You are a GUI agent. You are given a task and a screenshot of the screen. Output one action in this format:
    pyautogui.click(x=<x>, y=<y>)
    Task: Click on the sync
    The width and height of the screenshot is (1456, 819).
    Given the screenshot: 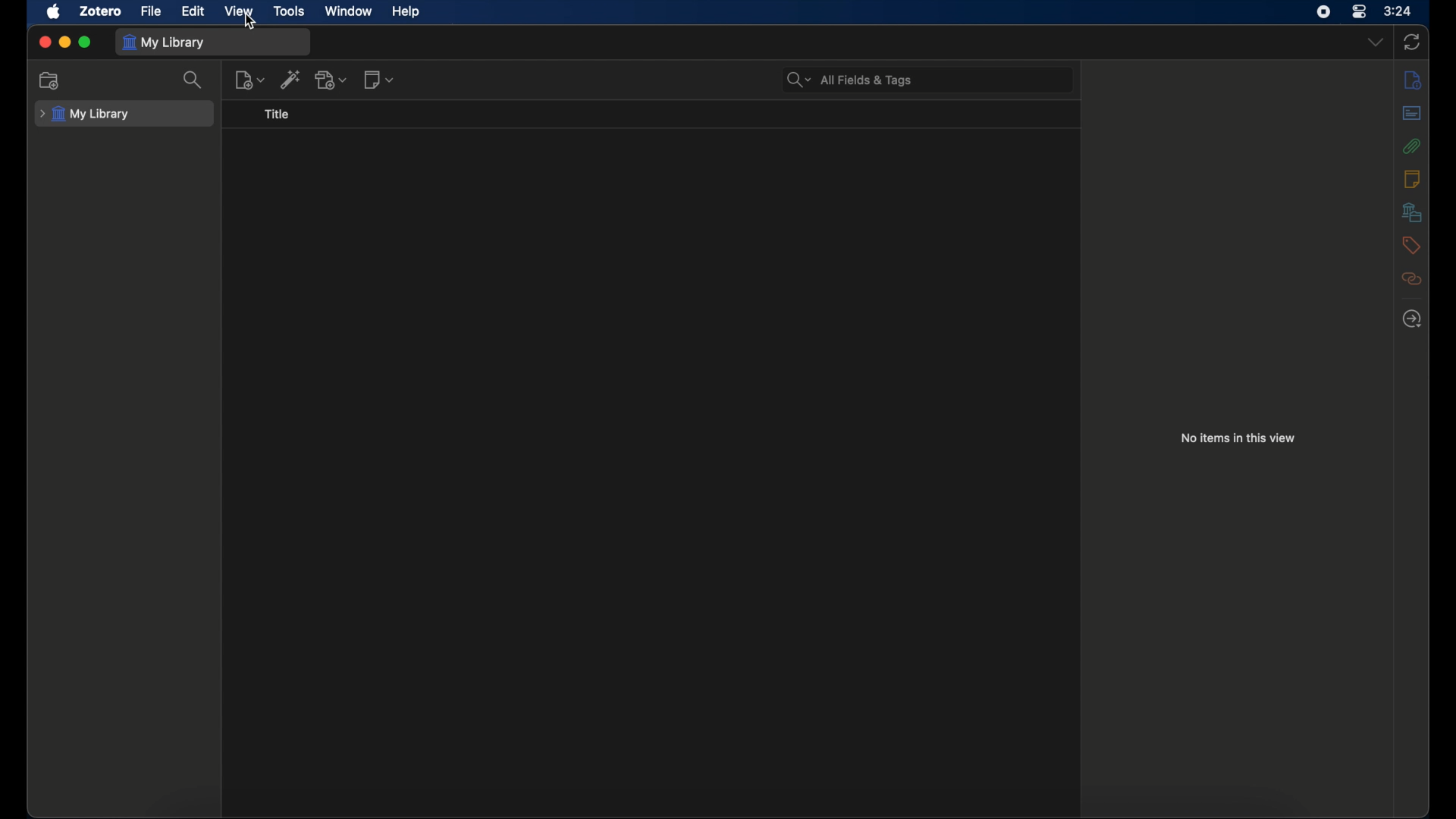 What is the action you would take?
    pyautogui.click(x=1414, y=42)
    